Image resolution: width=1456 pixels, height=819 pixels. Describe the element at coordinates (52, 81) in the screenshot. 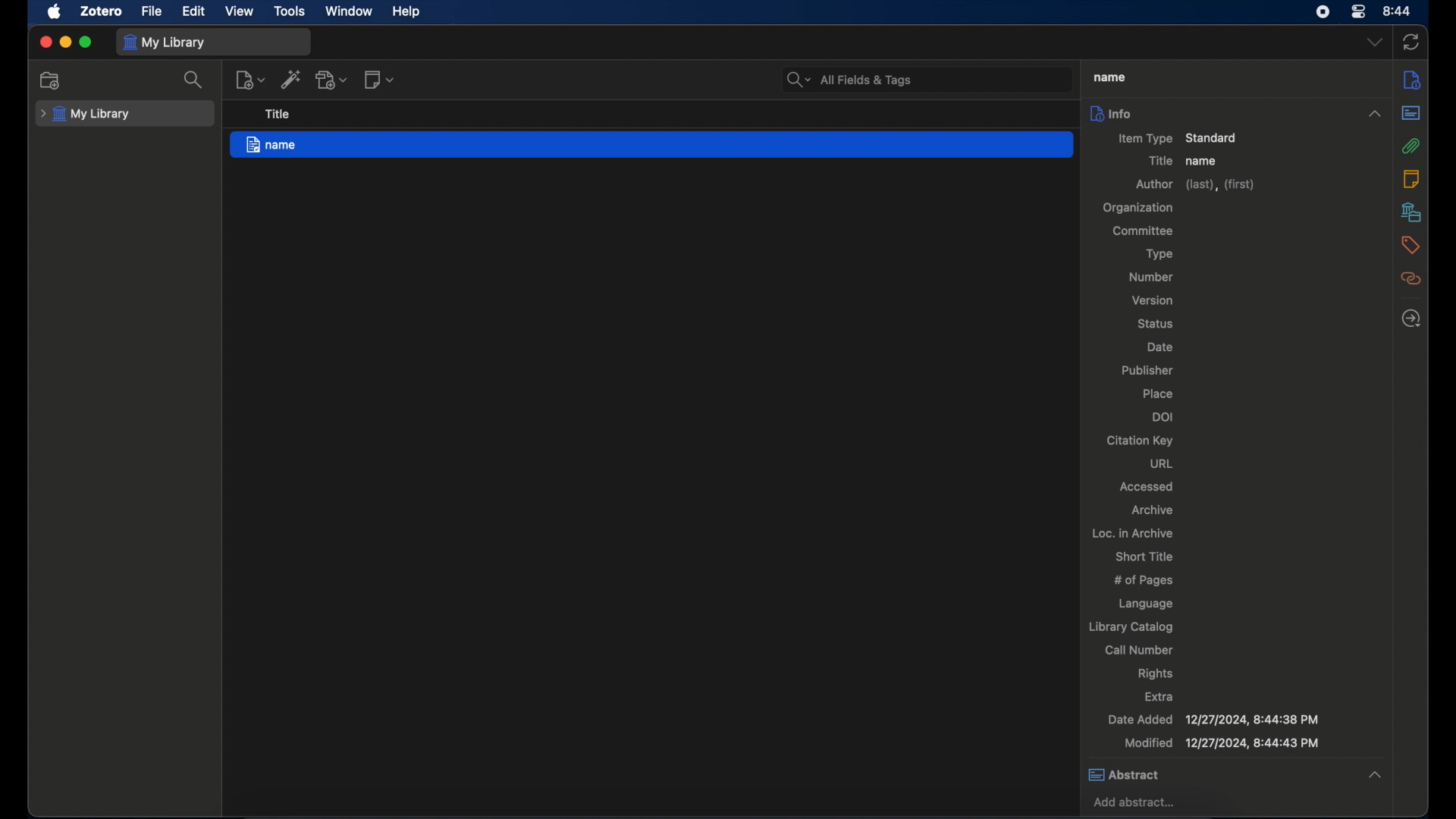

I see `new collection` at that location.